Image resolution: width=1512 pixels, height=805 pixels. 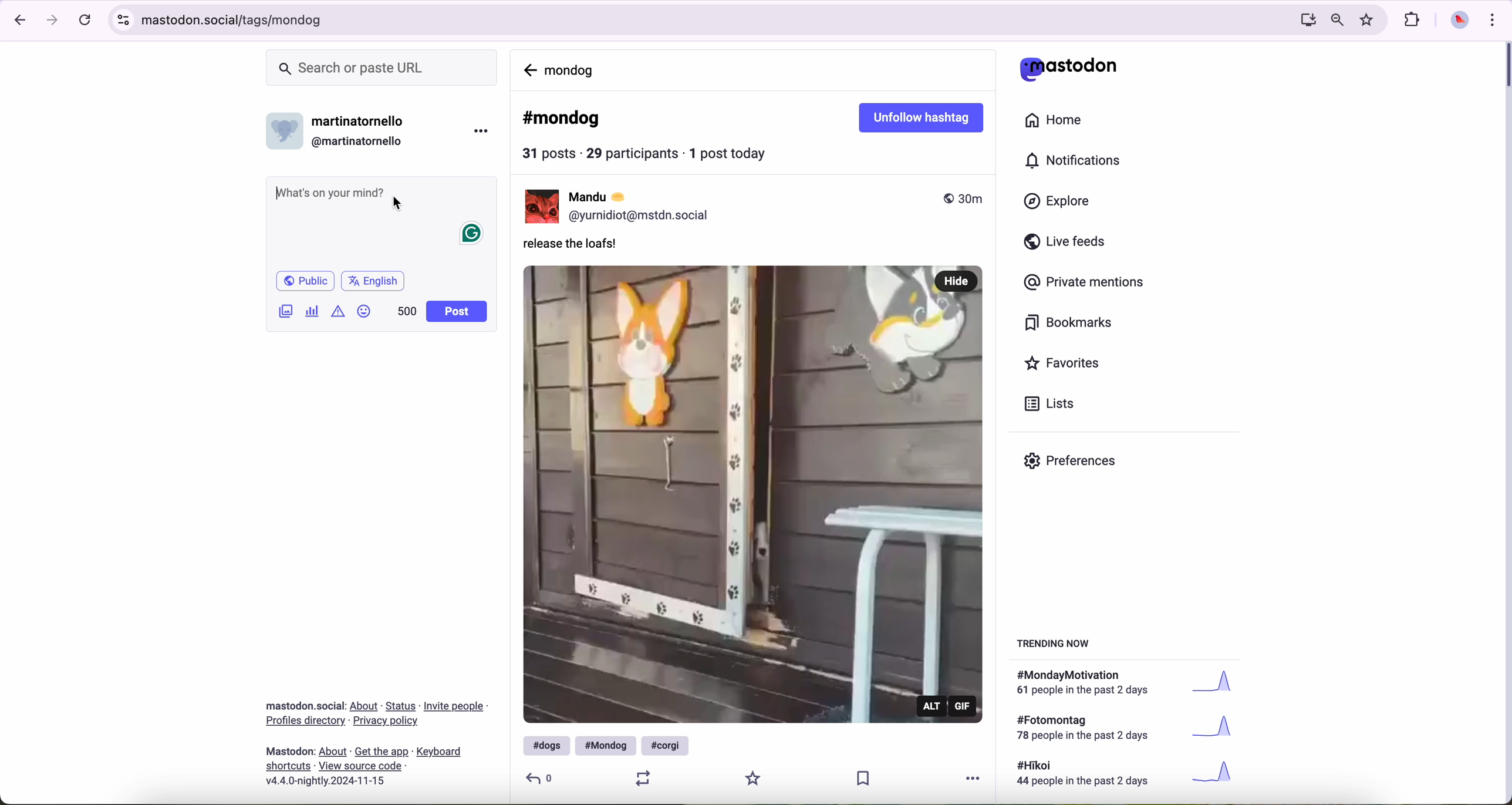 I want to click on version, so click(x=325, y=782).